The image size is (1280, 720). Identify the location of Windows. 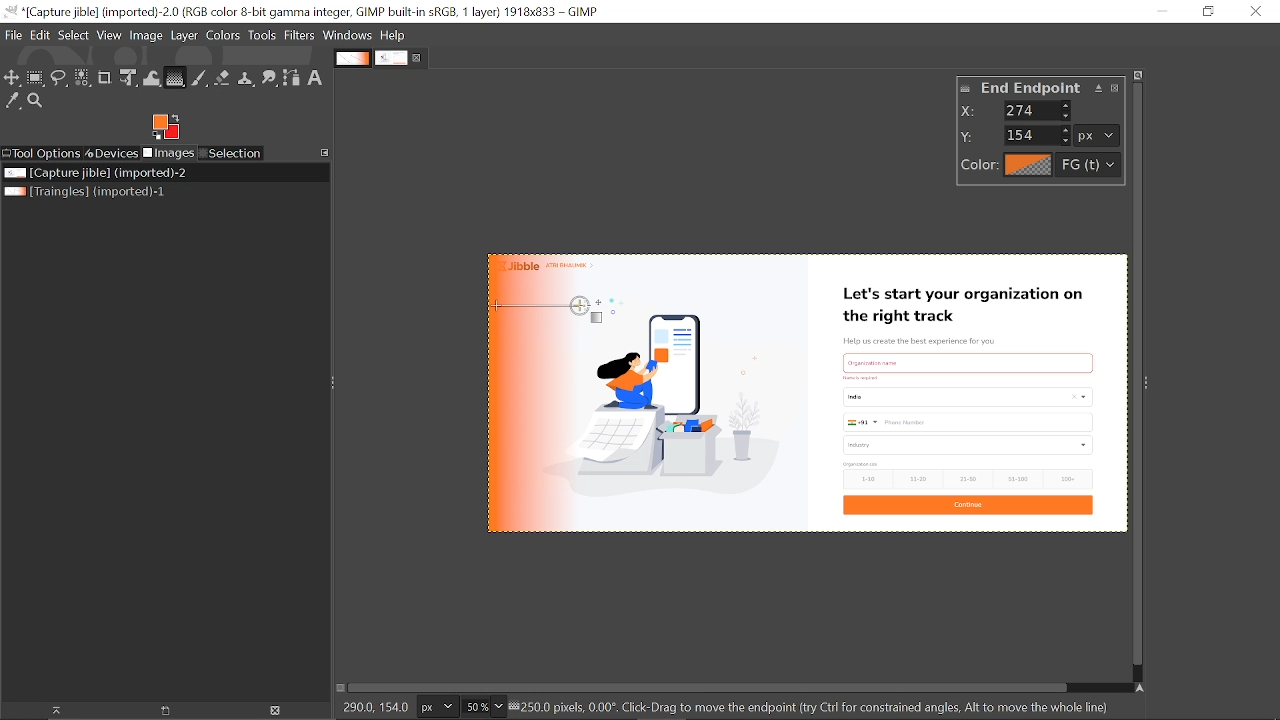
(348, 36).